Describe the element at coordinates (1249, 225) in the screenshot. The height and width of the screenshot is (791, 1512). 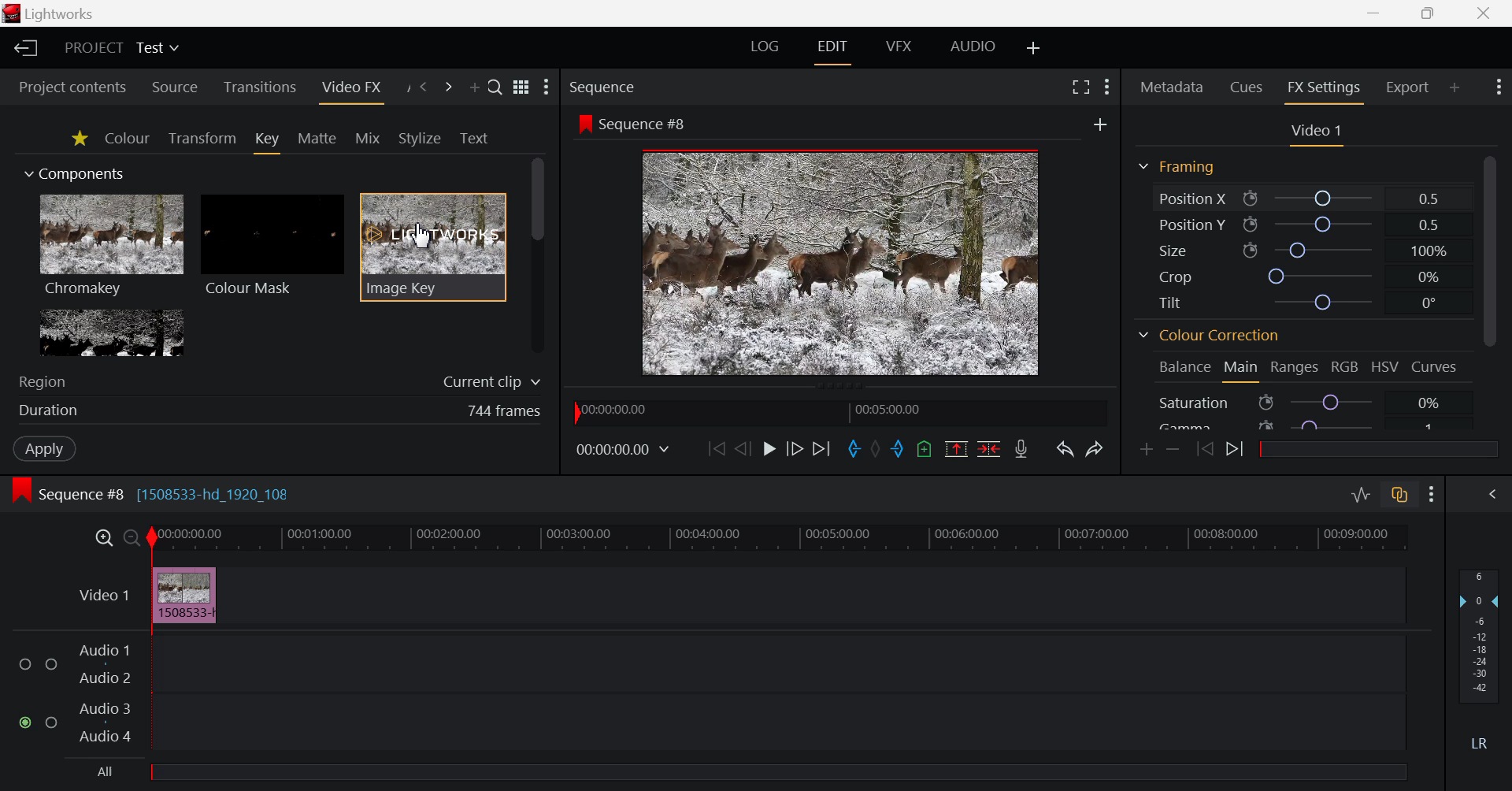
I see `icon` at that location.